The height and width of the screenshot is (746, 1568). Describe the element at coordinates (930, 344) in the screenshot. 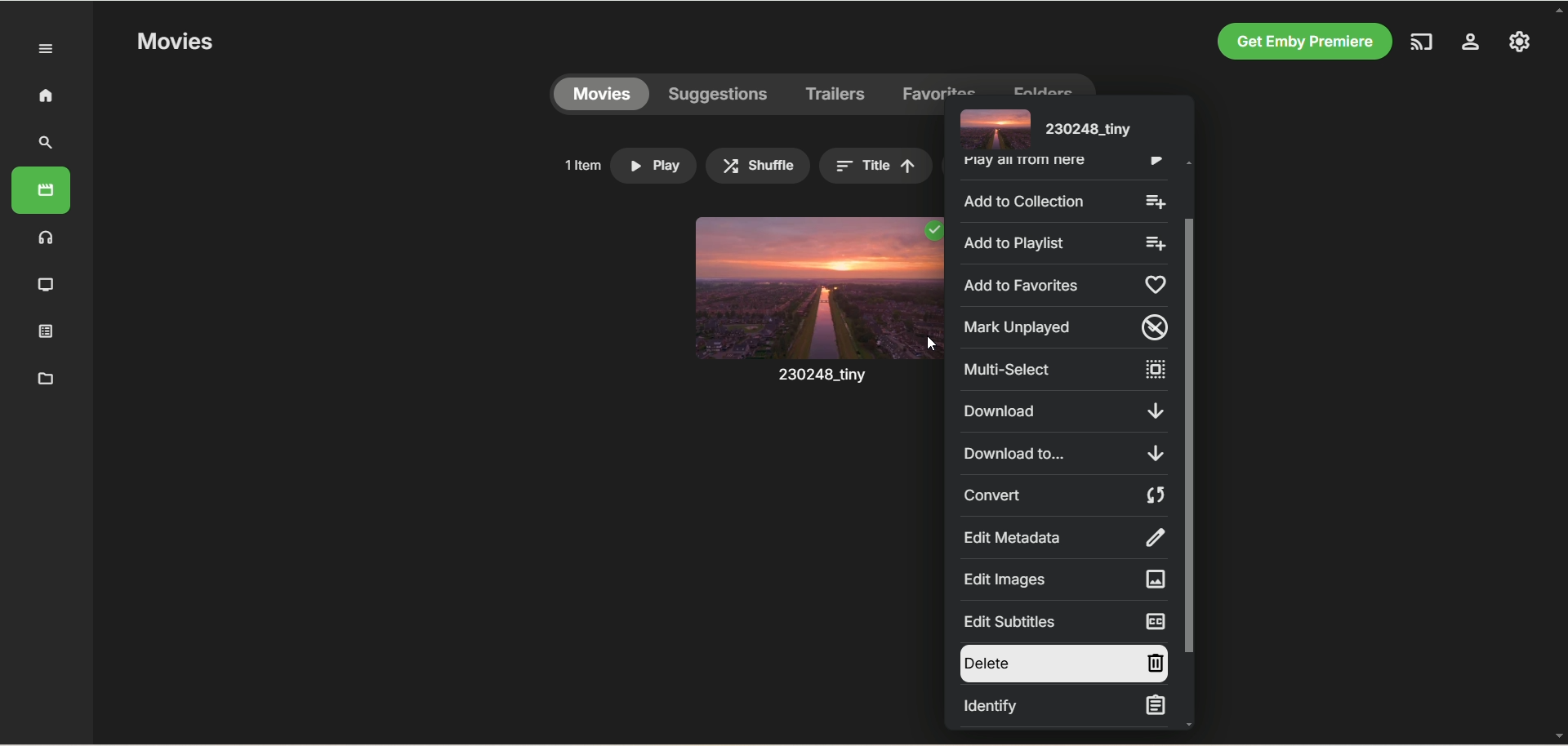

I see `Cursor` at that location.